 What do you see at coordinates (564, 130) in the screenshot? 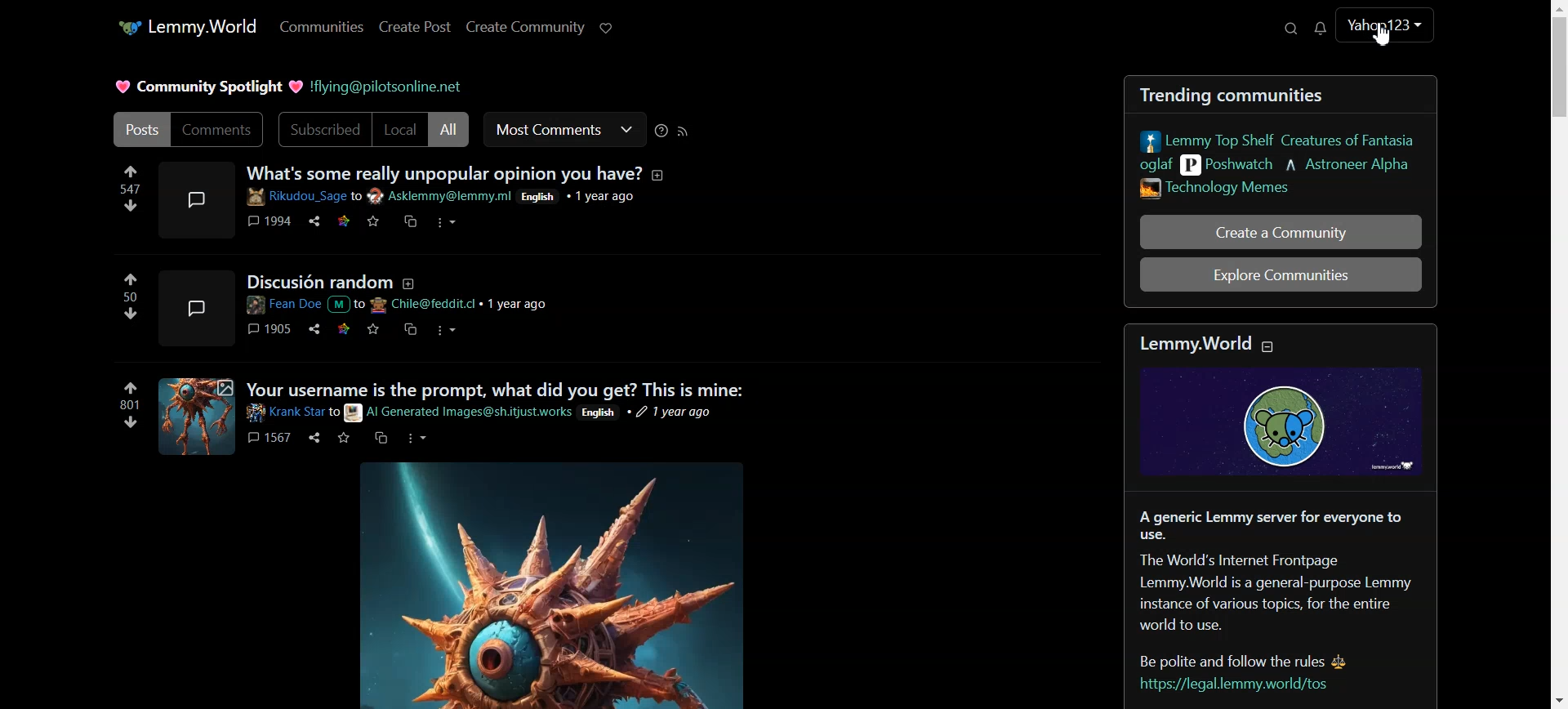
I see `Most Comments` at bounding box center [564, 130].